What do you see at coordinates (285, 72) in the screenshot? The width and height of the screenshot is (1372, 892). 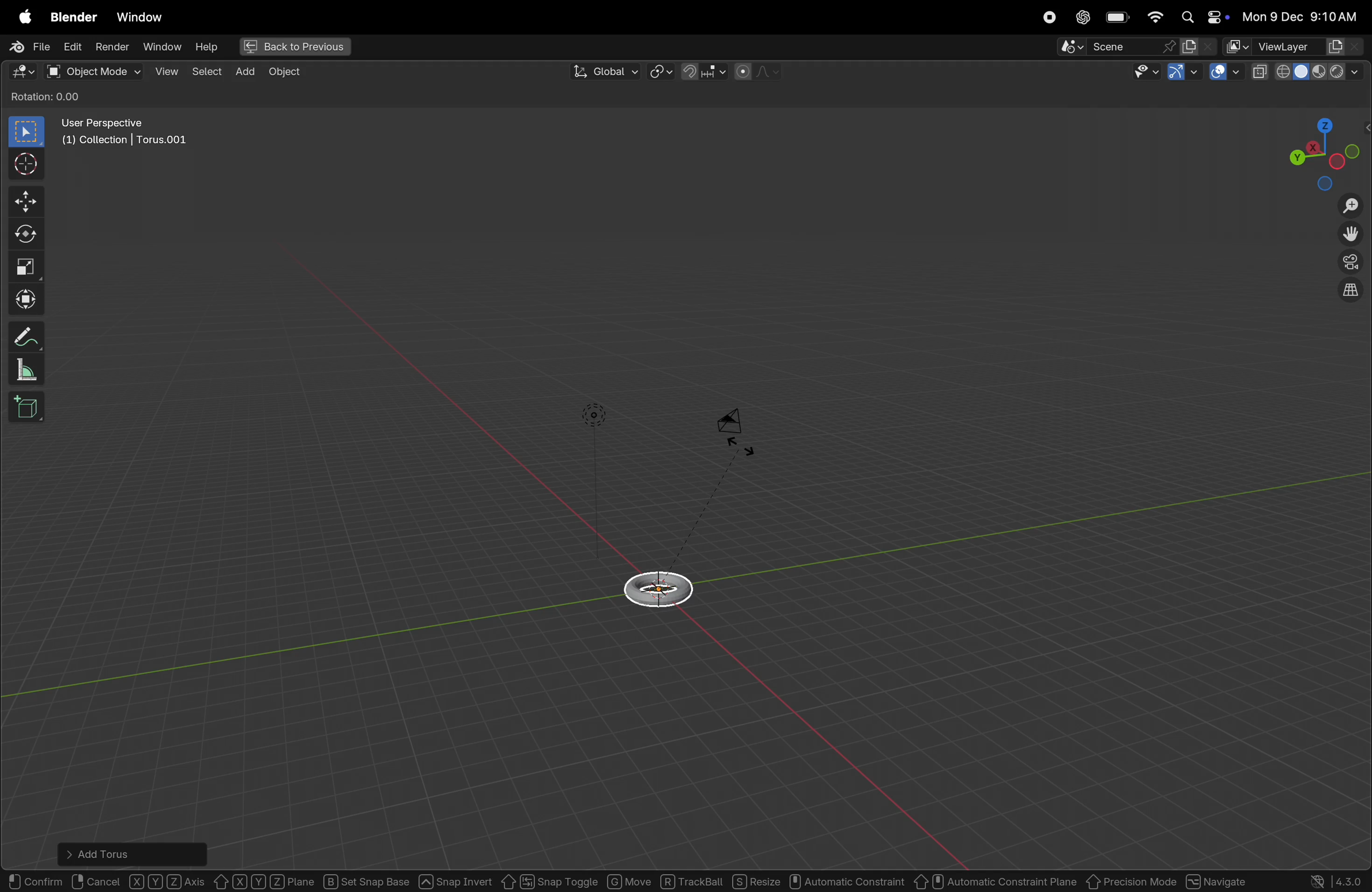 I see `object` at bounding box center [285, 72].